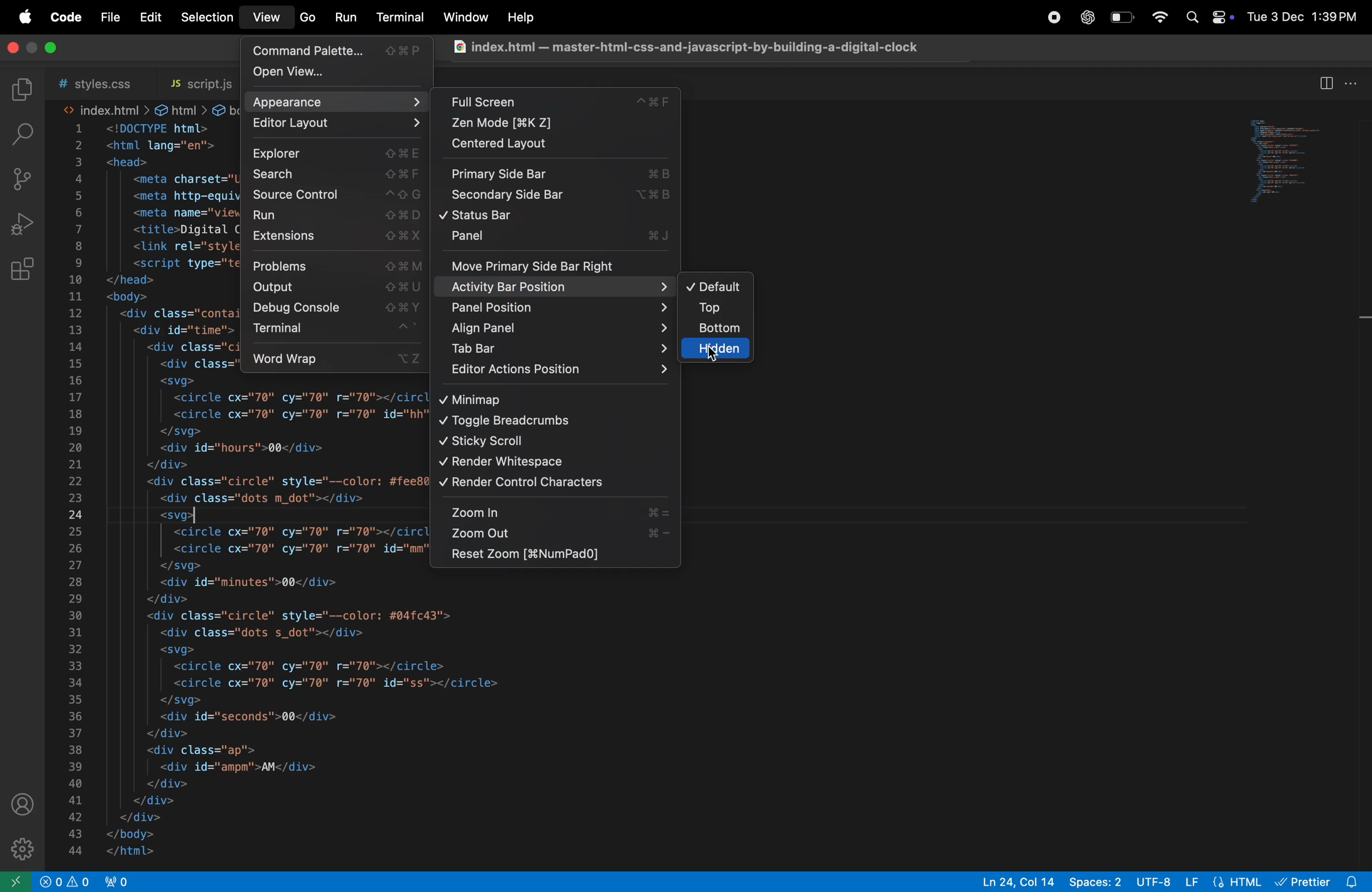  I want to click on problems, so click(334, 266).